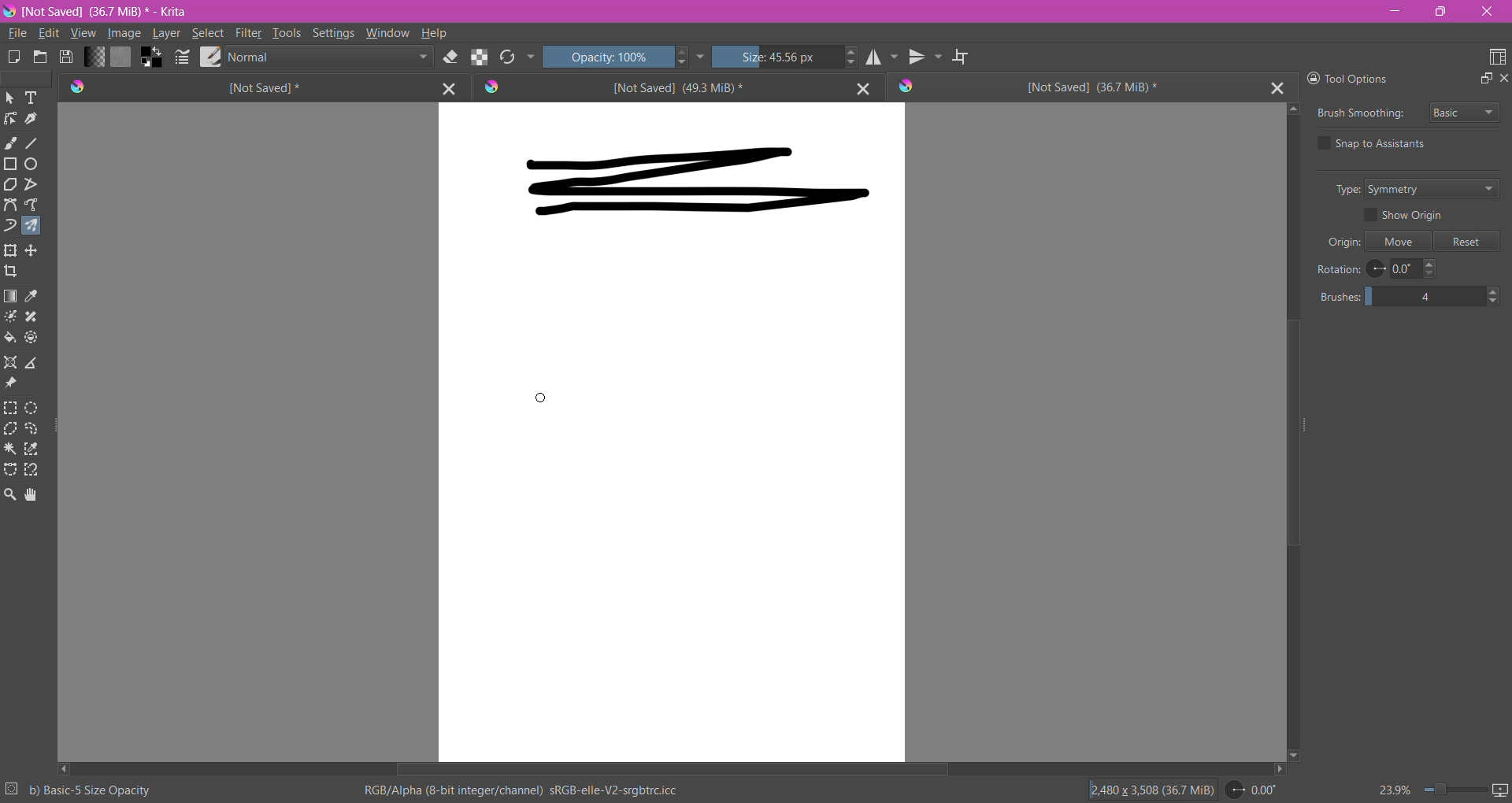 This screenshot has width=1512, height=803. What do you see at coordinates (33, 361) in the screenshot?
I see `Measure the distance between the two points` at bounding box center [33, 361].